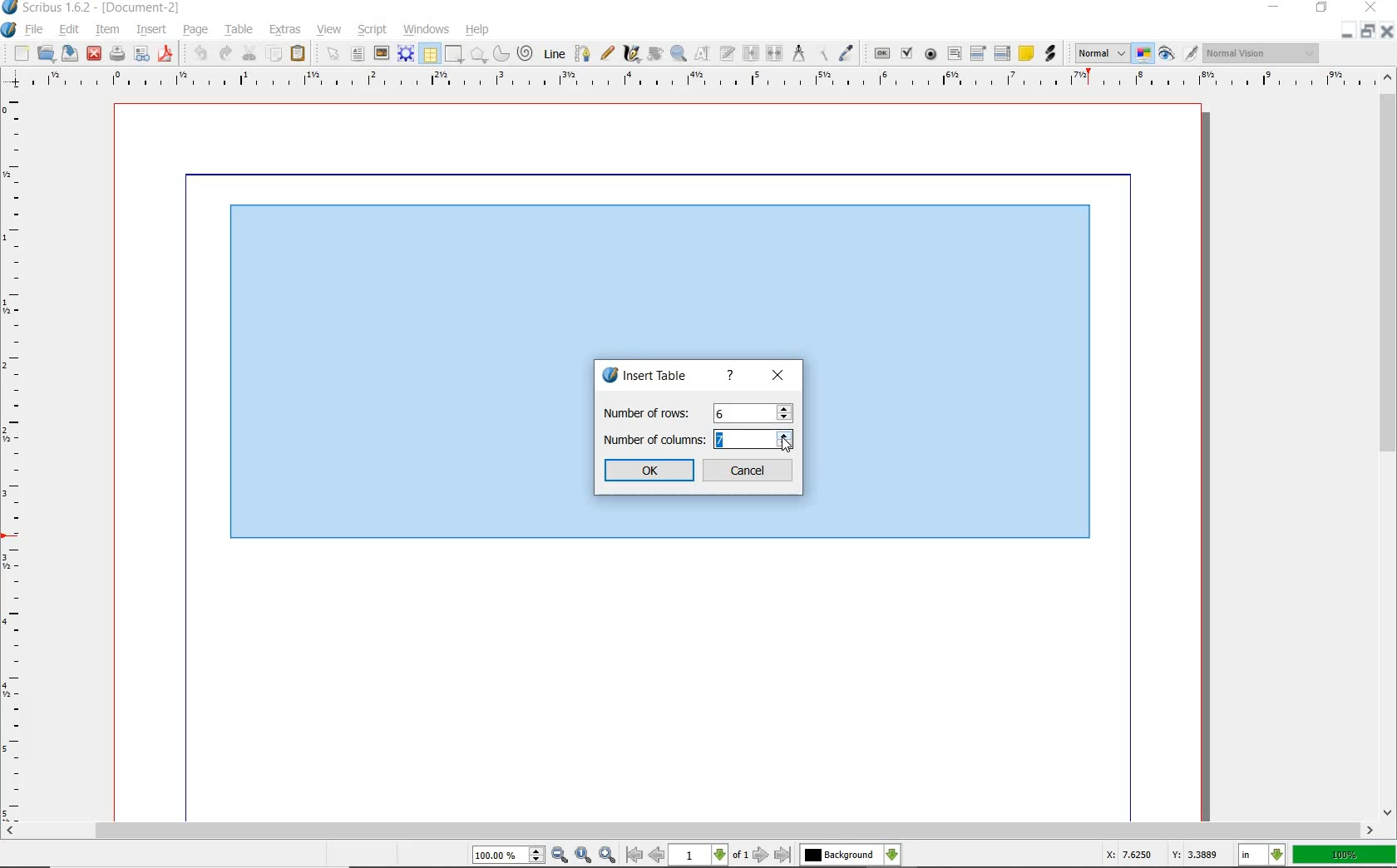  Describe the element at coordinates (1264, 52) in the screenshot. I see `visual appearance of the display` at that location.